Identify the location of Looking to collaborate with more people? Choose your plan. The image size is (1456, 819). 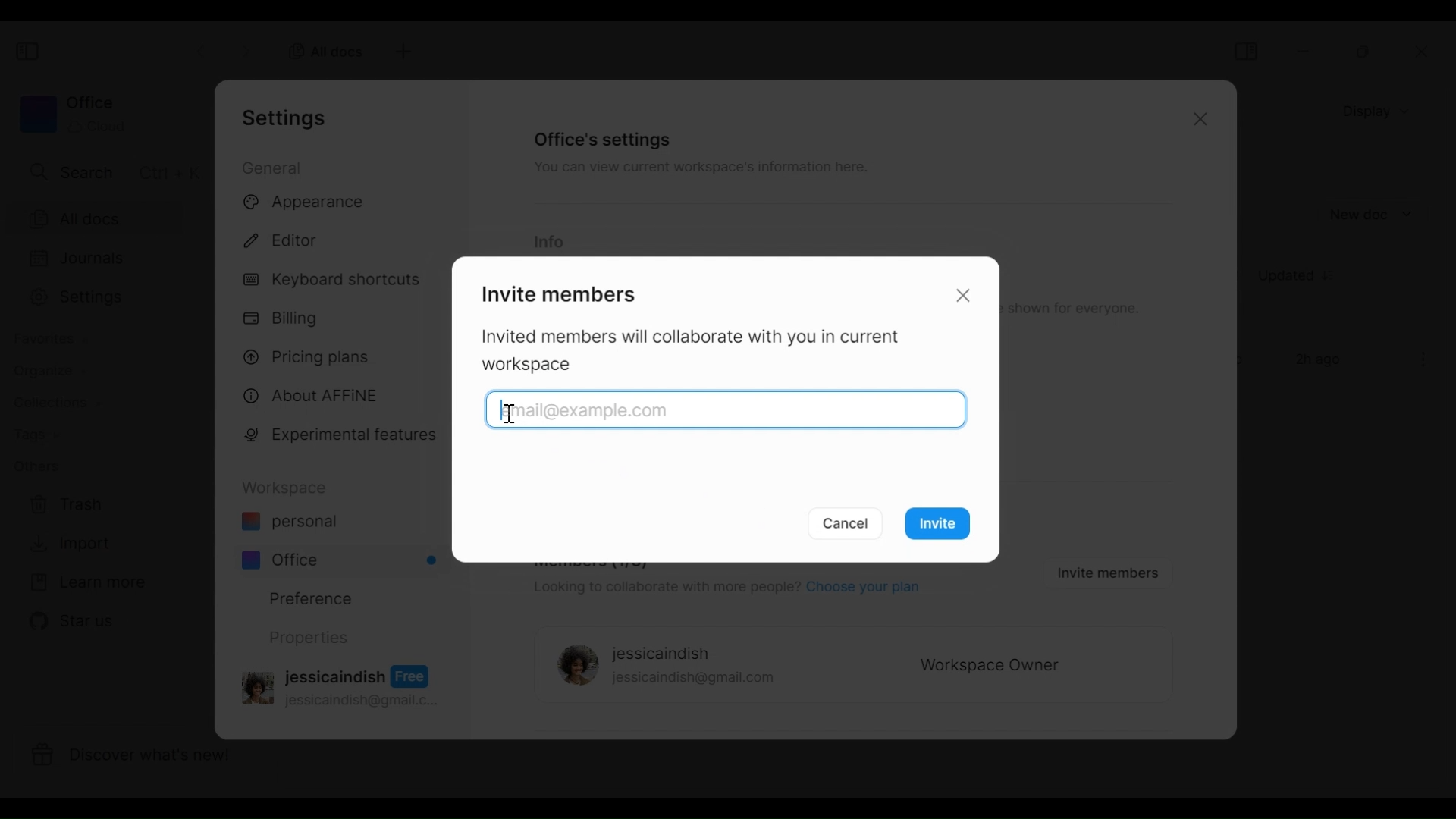
(724, 589).